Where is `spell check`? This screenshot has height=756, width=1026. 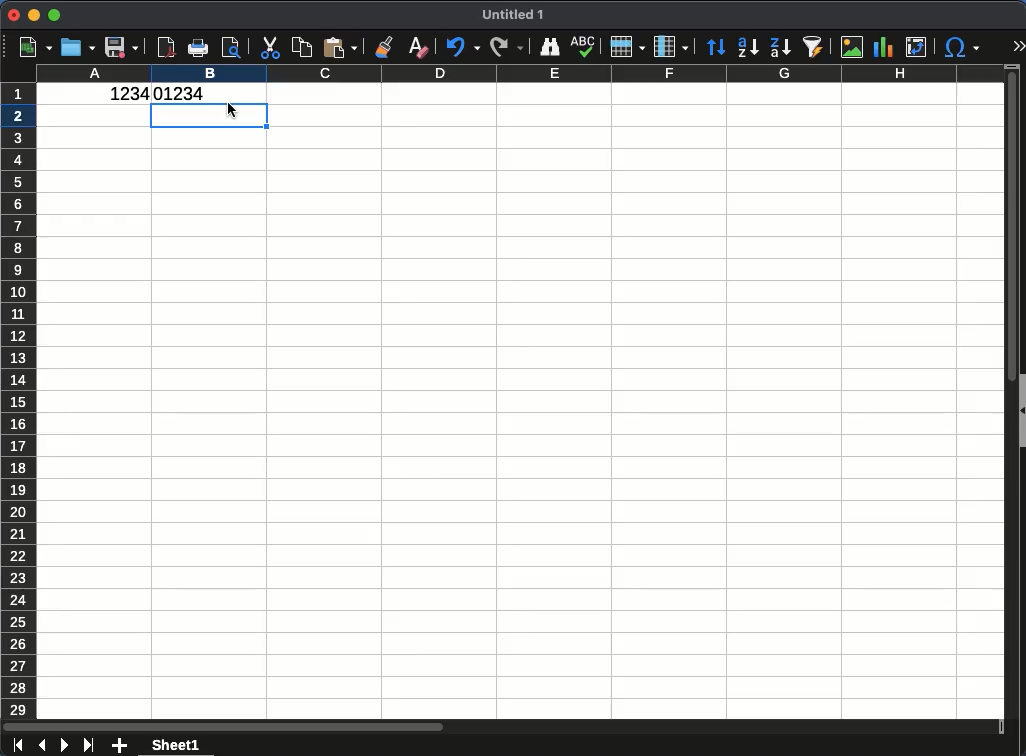
spell check is located at coordinates (584, 47).